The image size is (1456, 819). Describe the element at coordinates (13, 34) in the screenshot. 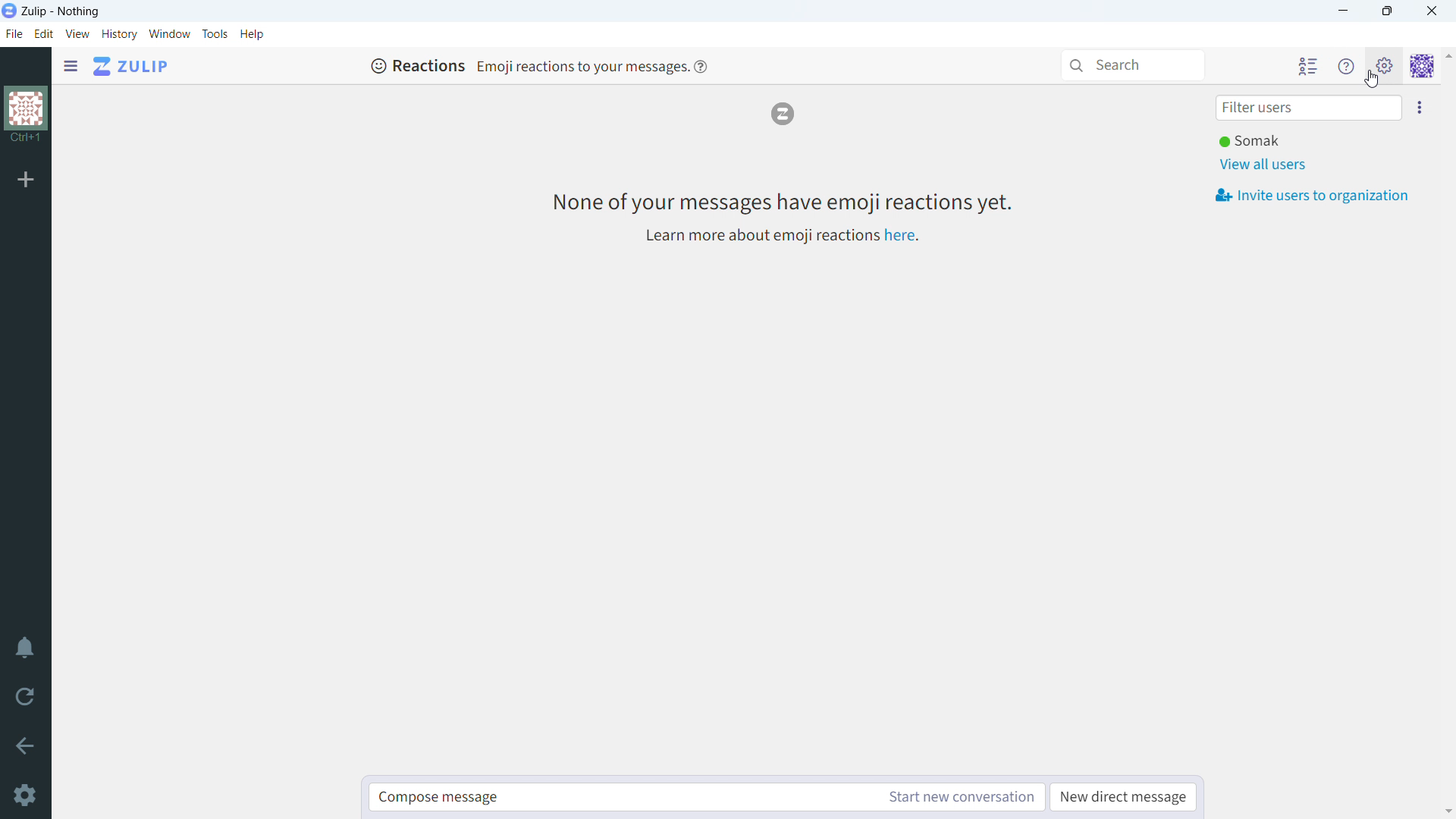

I see `file` at that location.